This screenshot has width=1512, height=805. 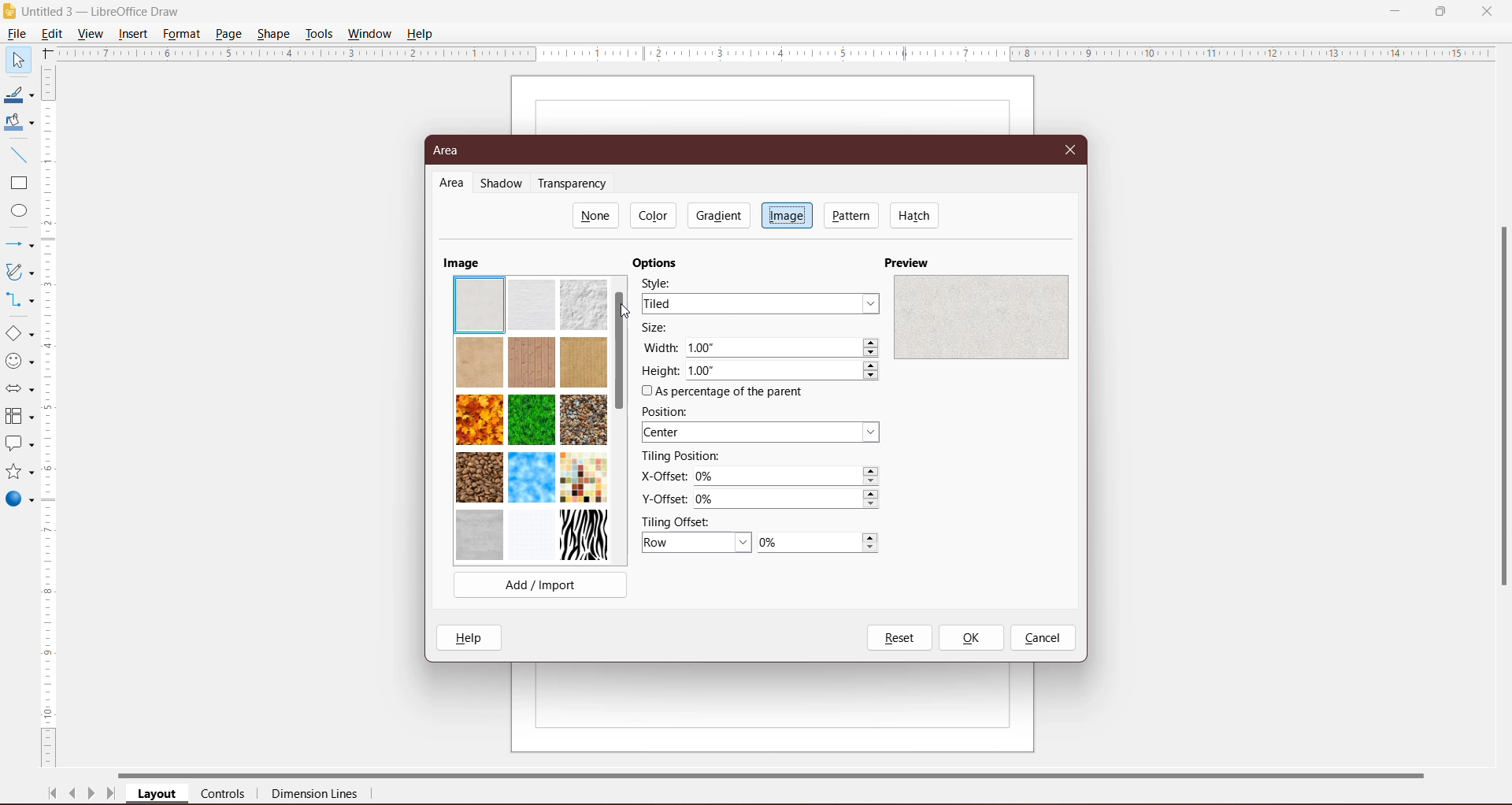 I want to click on Area, so click(x=452, y=184).